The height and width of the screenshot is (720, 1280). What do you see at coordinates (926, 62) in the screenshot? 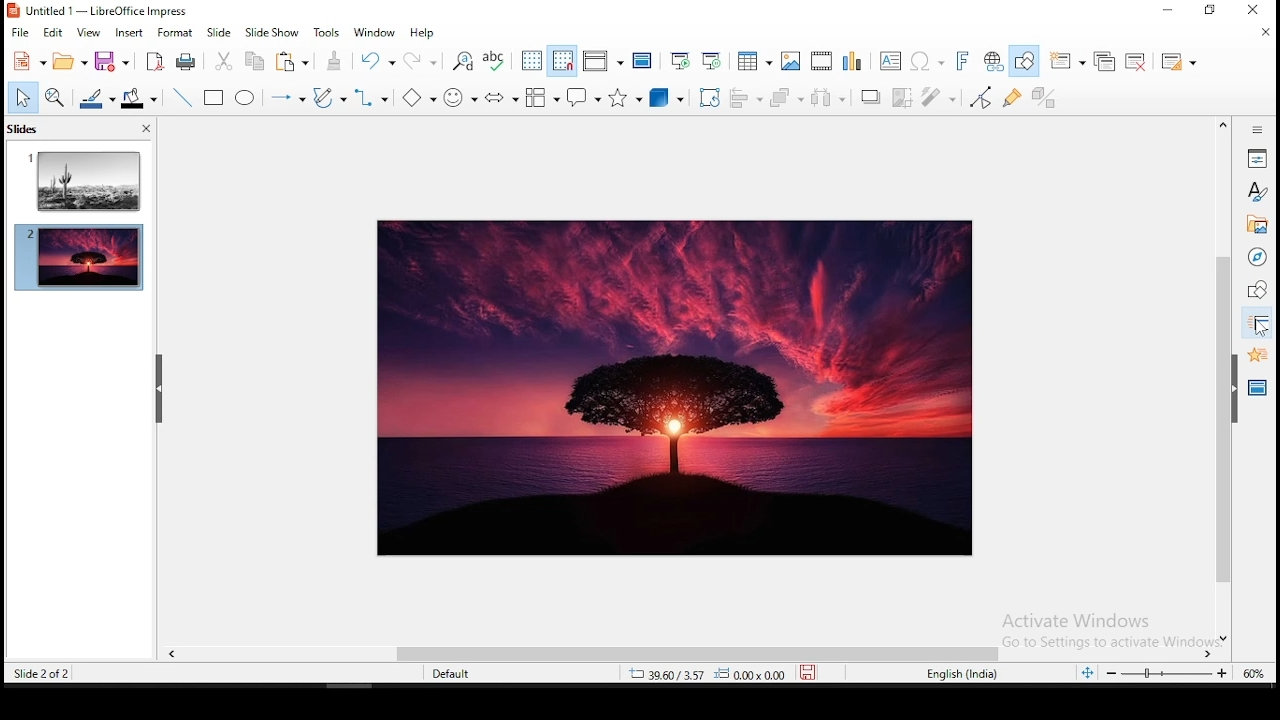
I see `special characters` at bounding box center [926, 62].